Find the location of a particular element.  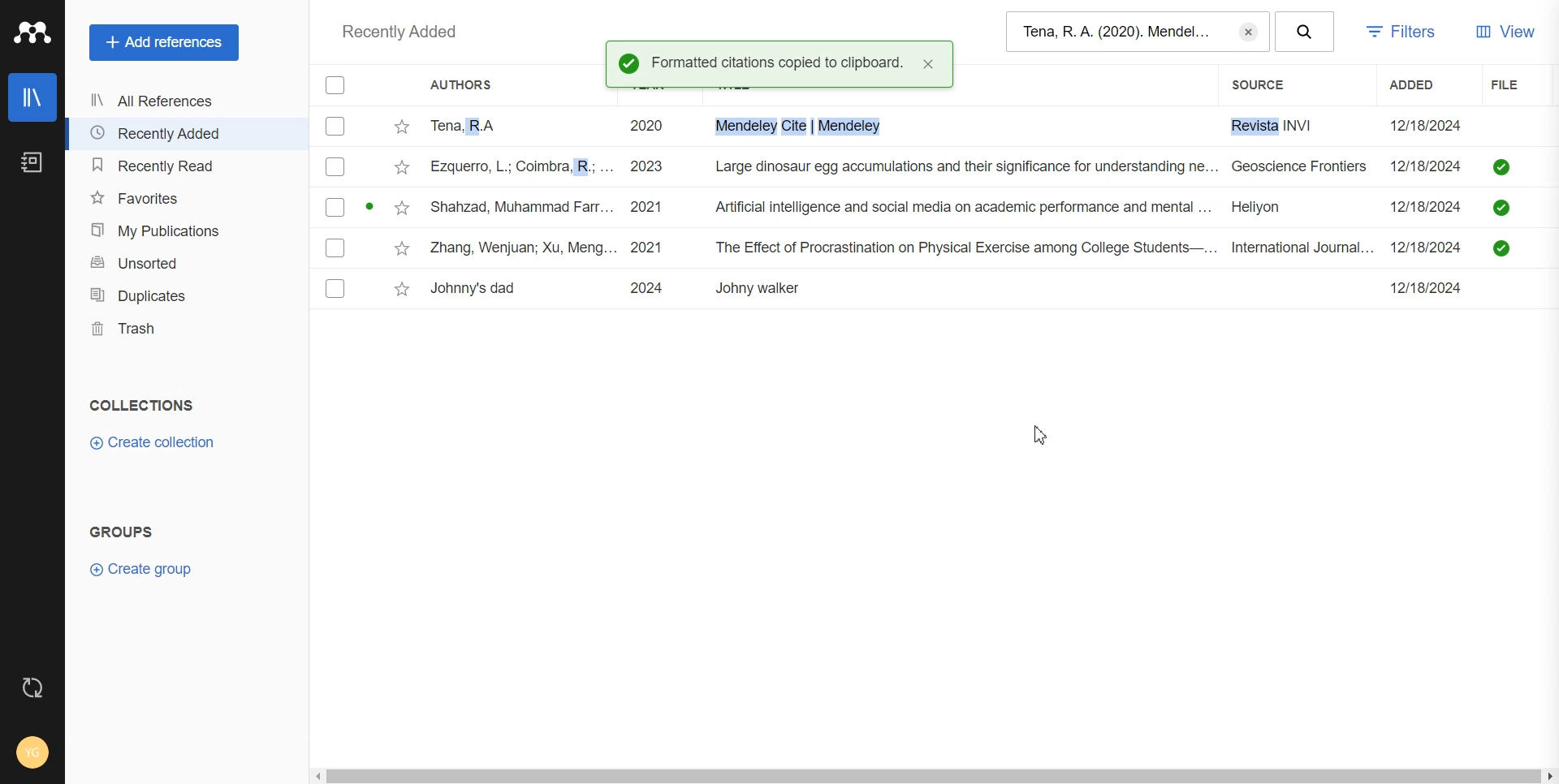

saved is located at coordinates (1504, 166).